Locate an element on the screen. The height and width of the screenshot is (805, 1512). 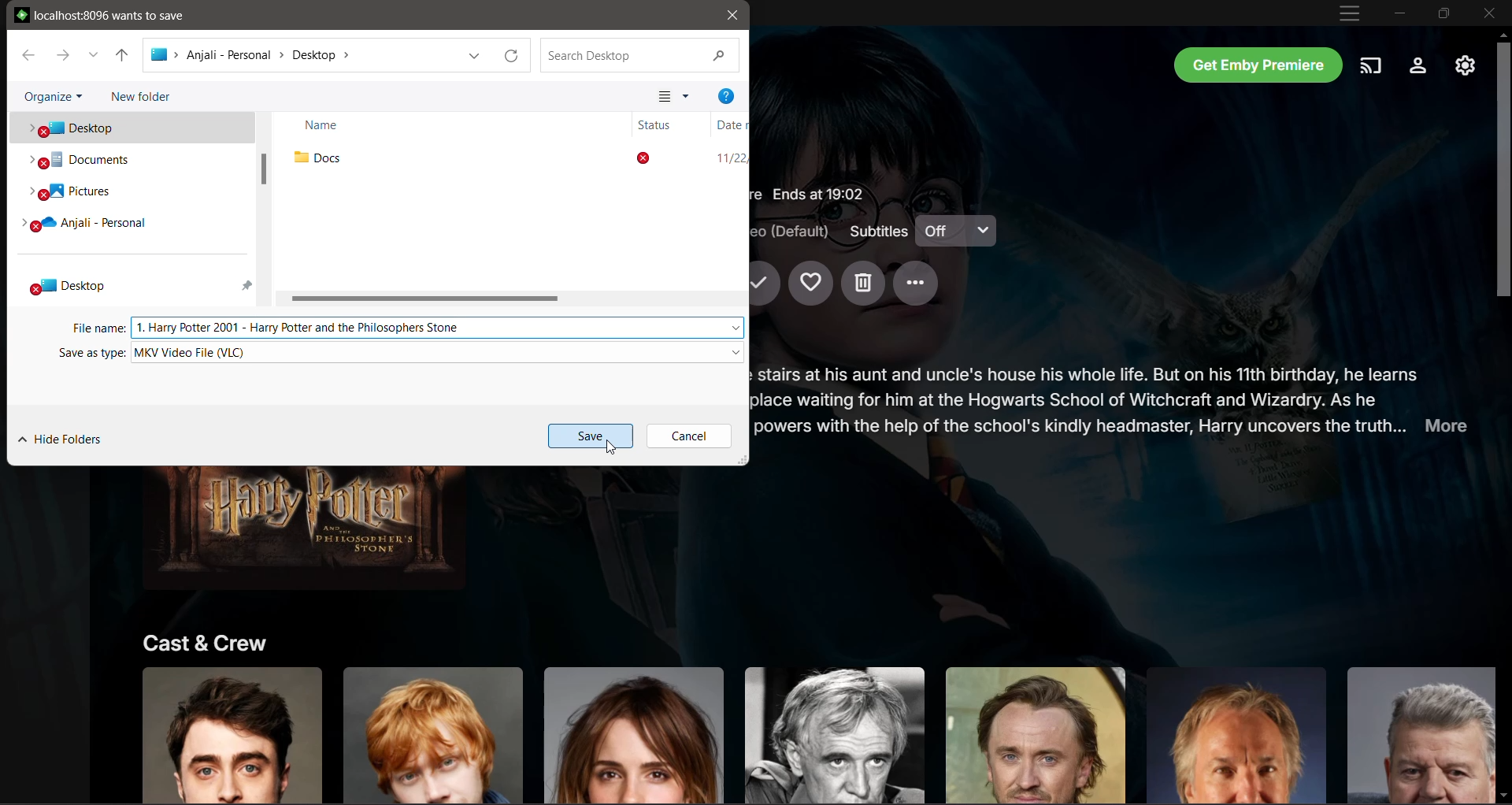
Click to know more about actor is located at coordinates (1035, 735).